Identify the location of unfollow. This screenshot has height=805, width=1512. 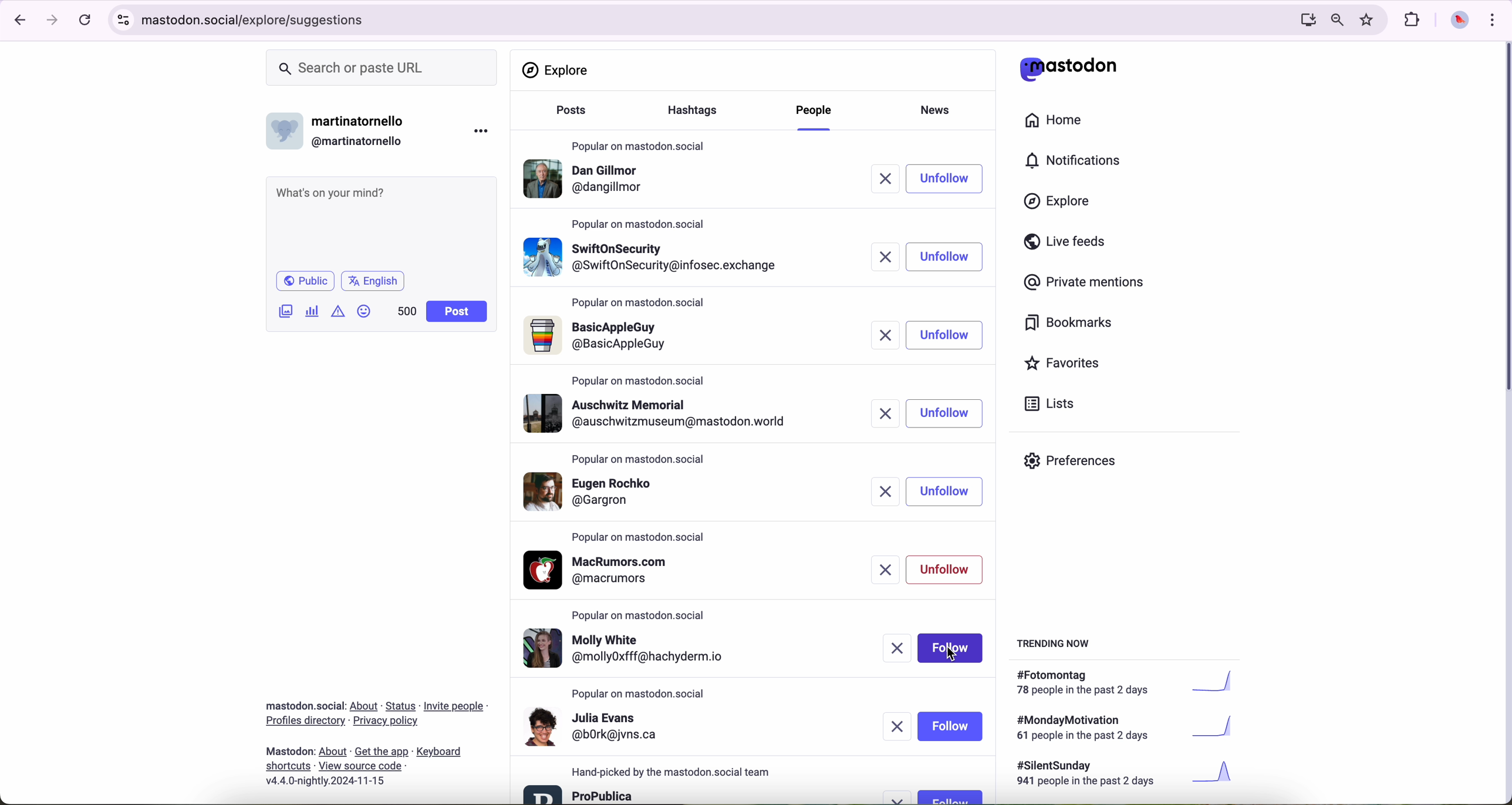
(946, 413).